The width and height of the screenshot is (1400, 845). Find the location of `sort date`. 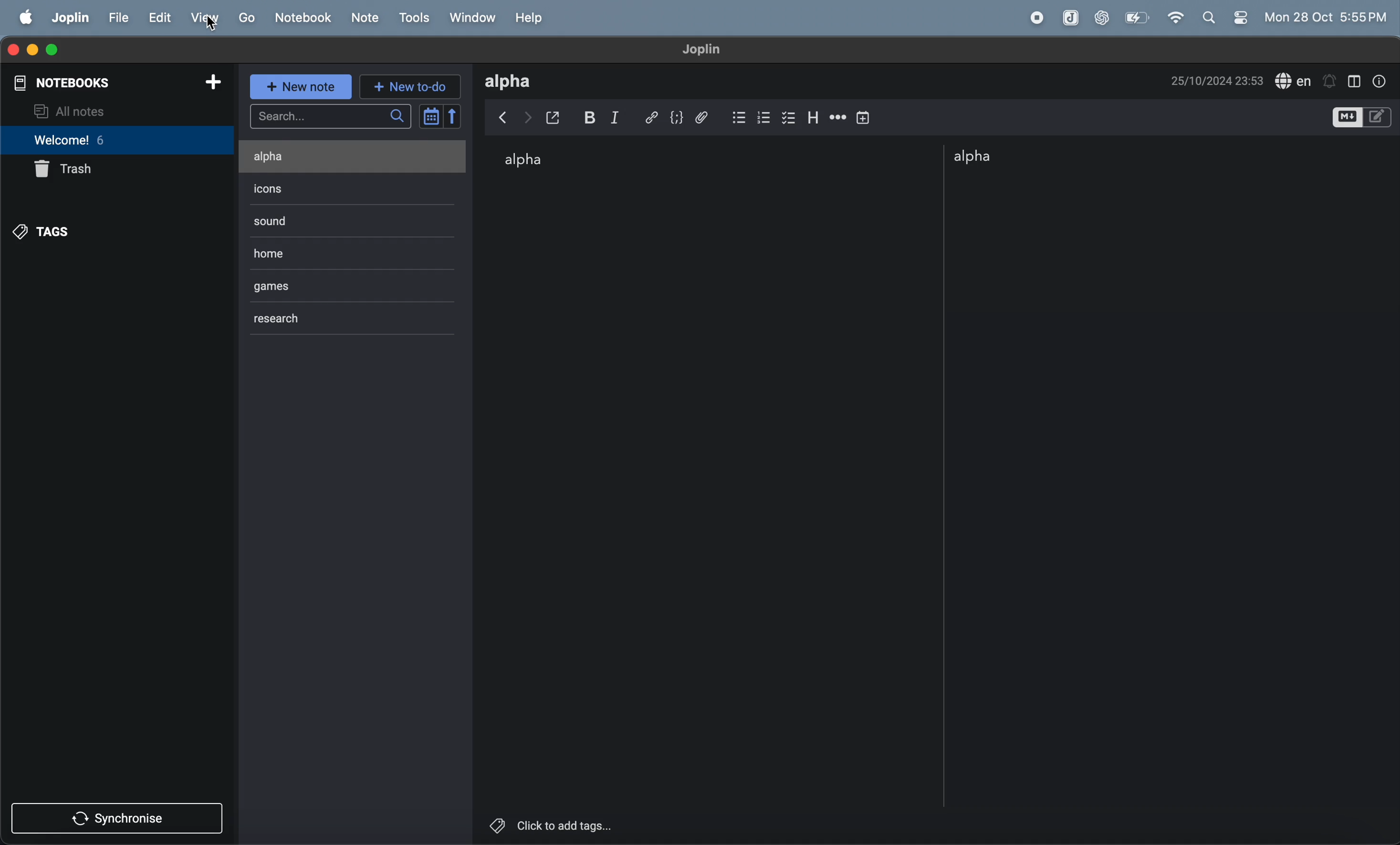

sort date is located at coordinates (441, 116).